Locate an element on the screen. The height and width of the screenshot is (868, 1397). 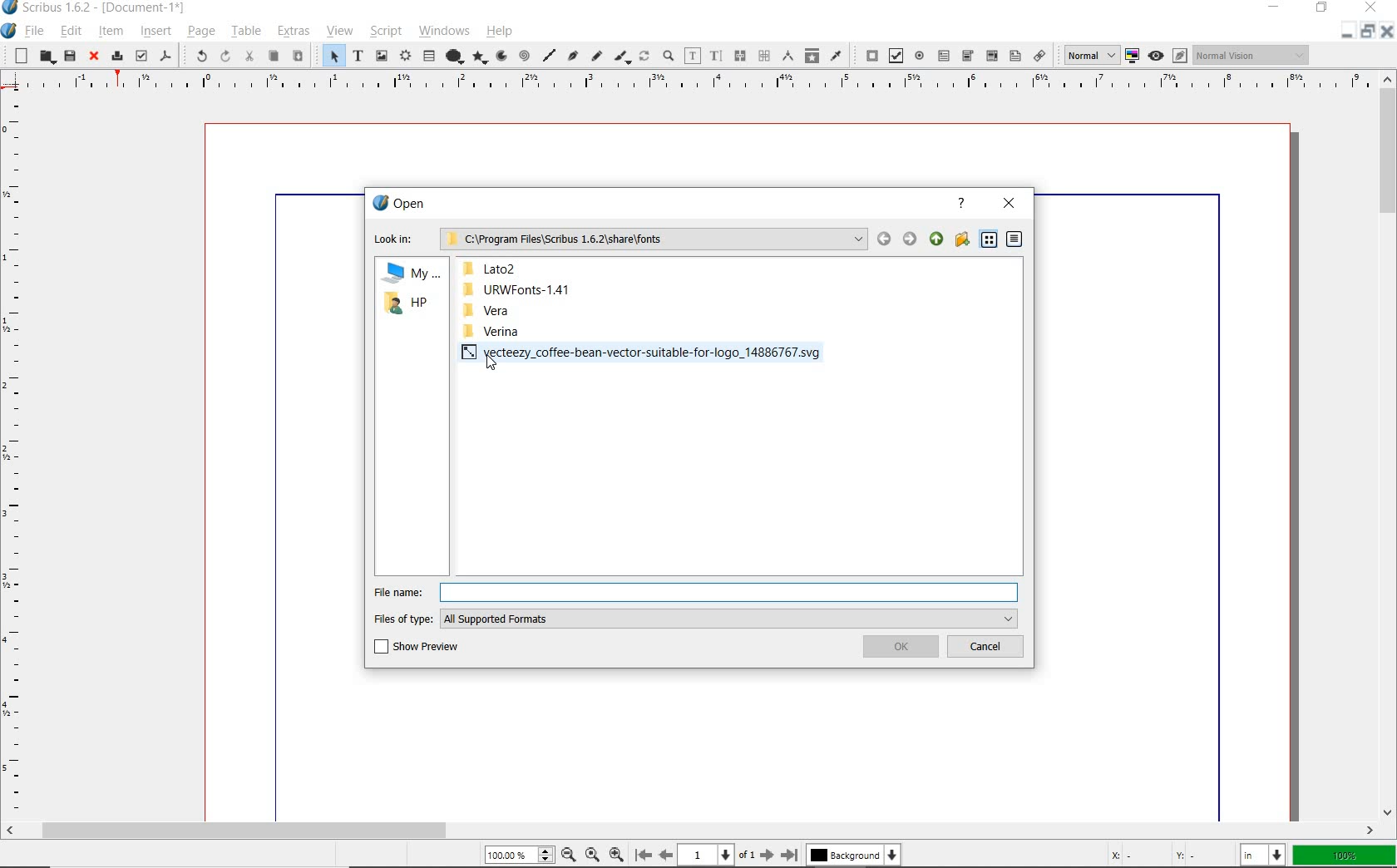
page is located at coordinates (200, 32).